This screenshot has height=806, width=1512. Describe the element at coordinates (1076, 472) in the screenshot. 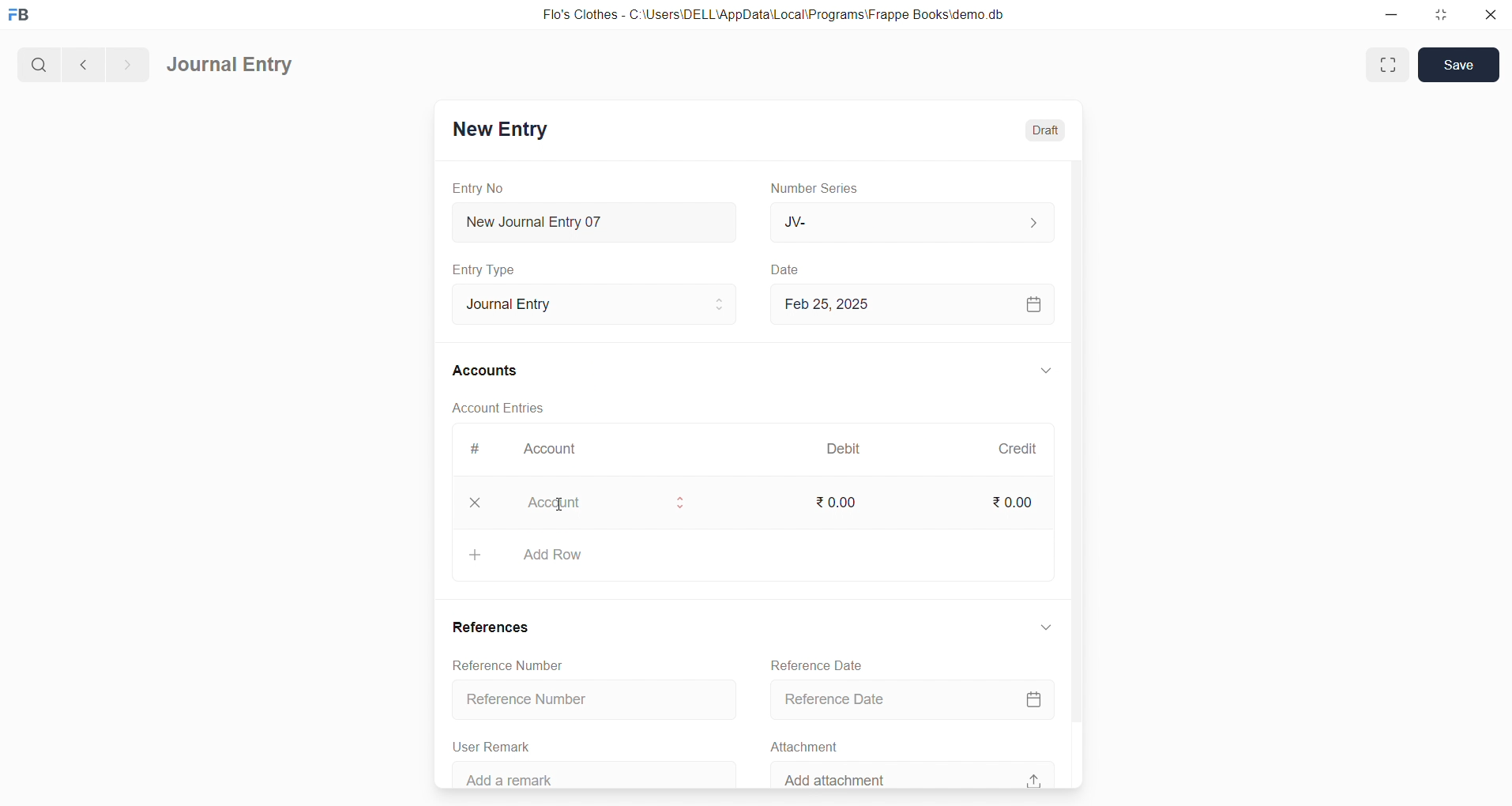

I see `vertical scroll bar` at that location.